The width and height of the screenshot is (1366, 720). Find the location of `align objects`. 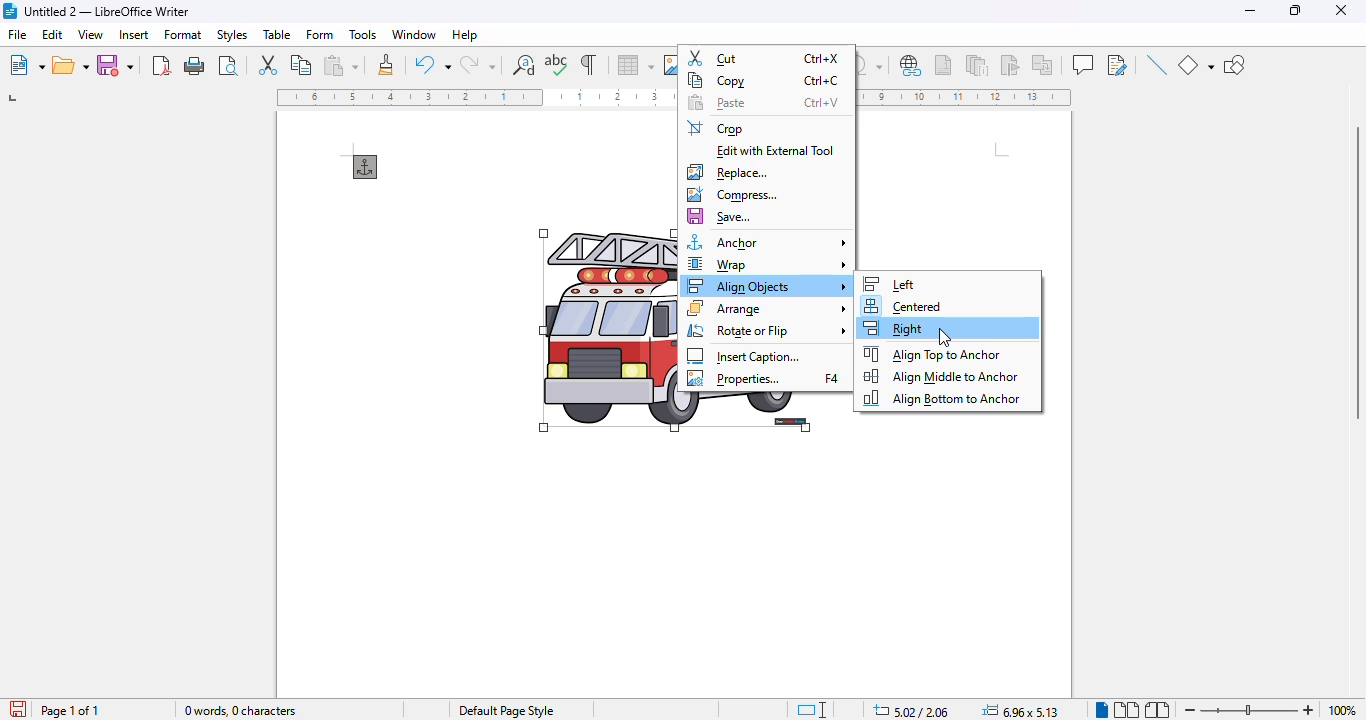

align objects is located at coordinates (768, 285).